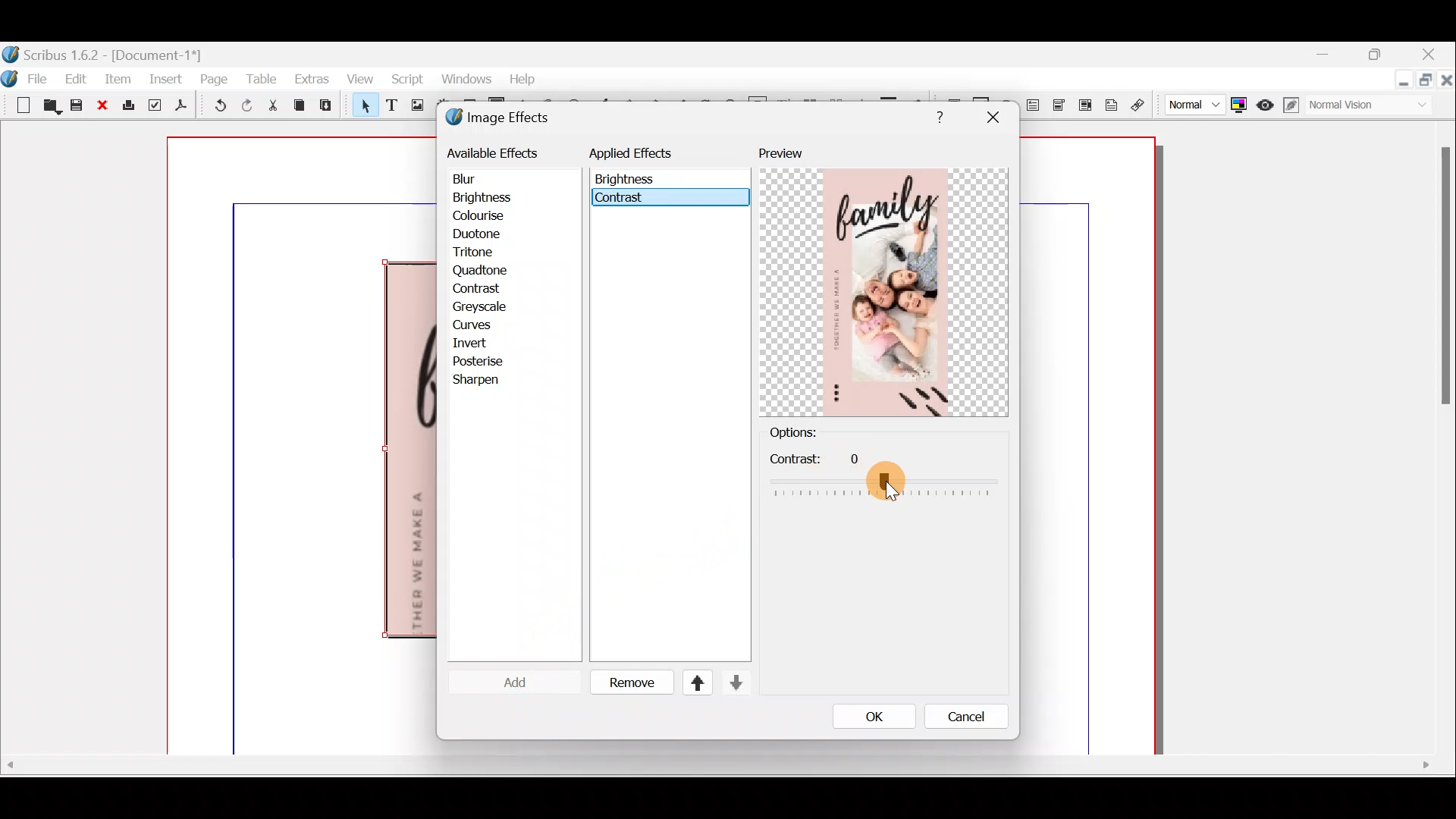 This screenshot has height=819, width=1456. I want to click on Image frame, so click(415, 107).